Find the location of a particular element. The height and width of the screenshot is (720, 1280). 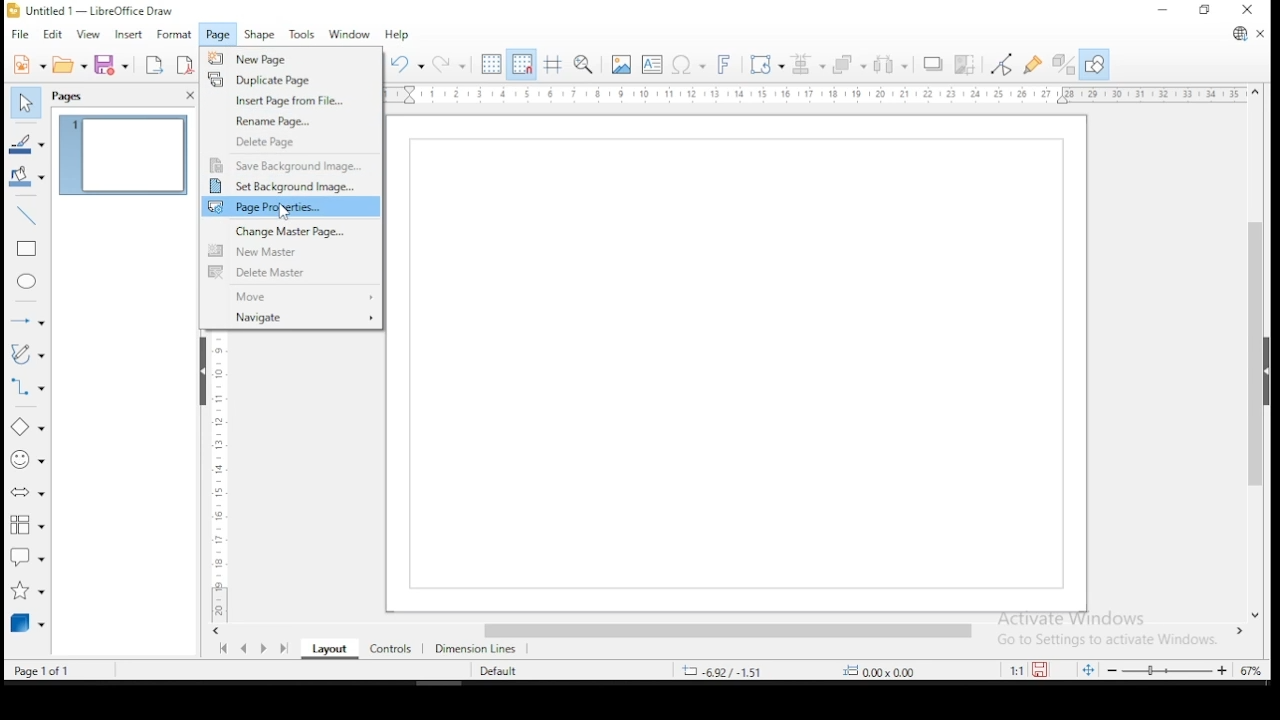

Default is located at coordinates (506, 670).